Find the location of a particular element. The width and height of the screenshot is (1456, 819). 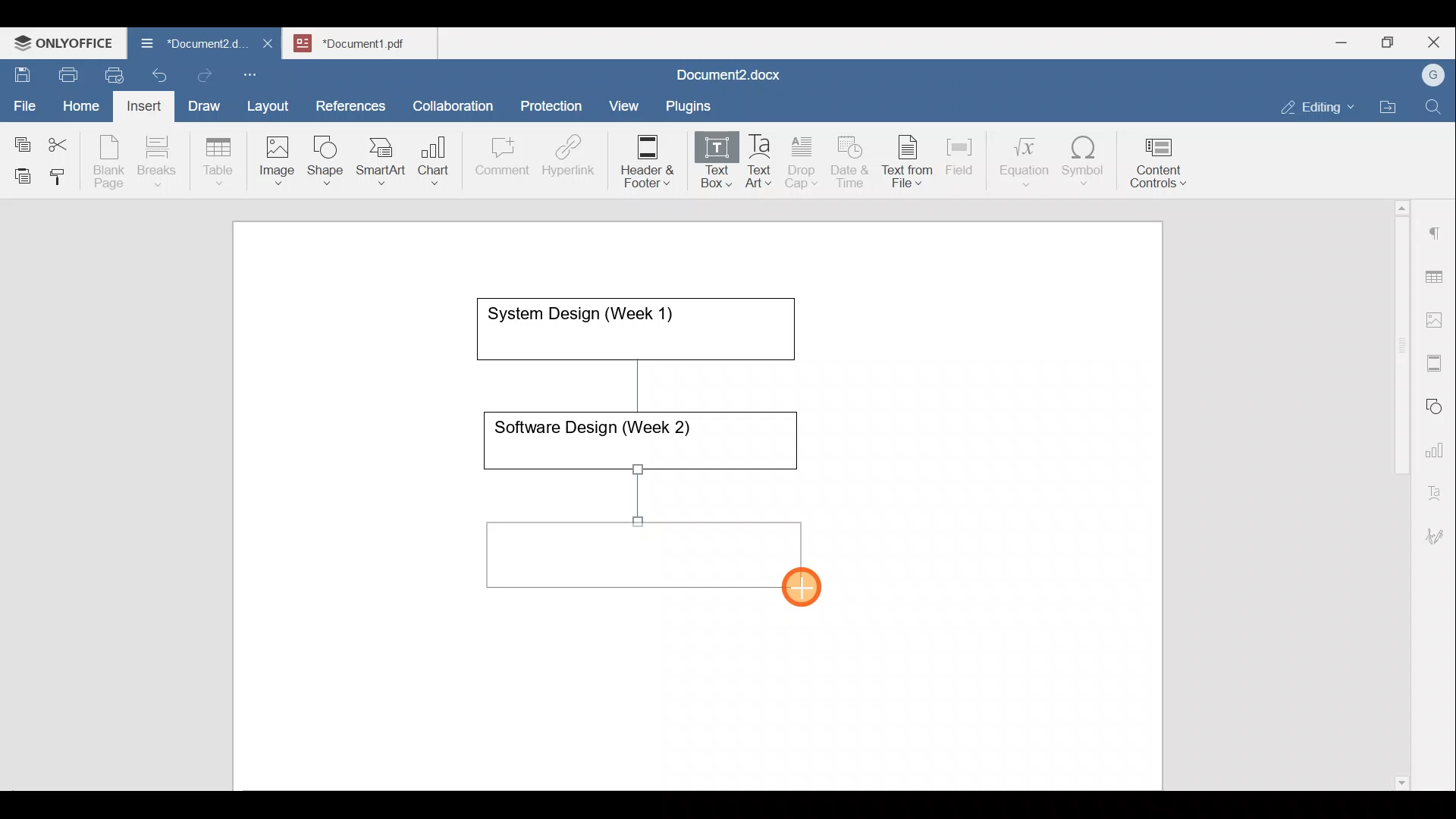

Account name is located at coordinates (1429, 76).